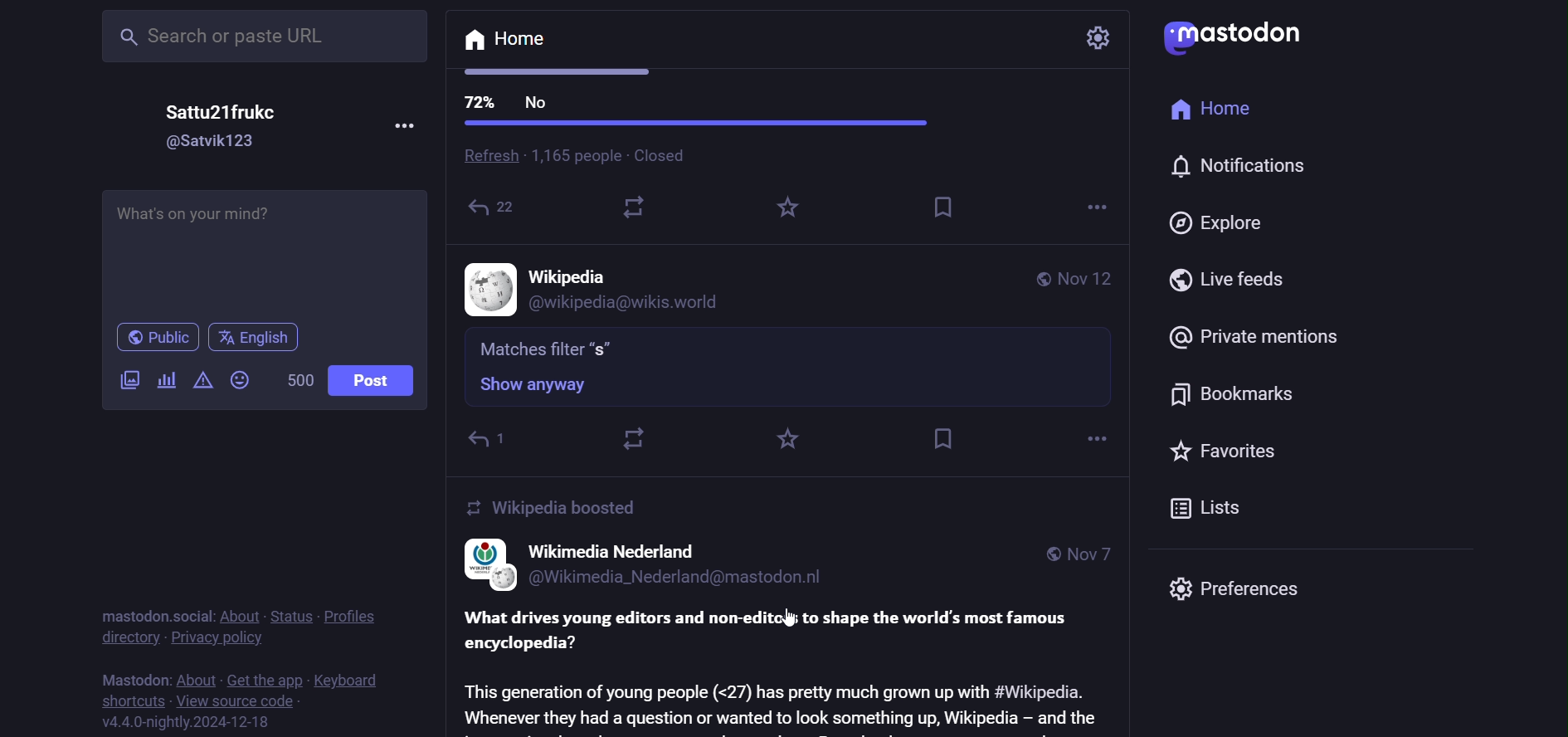 This screenshot has width=1568, height=737. What do you see at coordinates (681, 578) in the screenshot?
I see `(@Wikimedia_Nederland@mastodon.nl` at bounding box center [681, 578].